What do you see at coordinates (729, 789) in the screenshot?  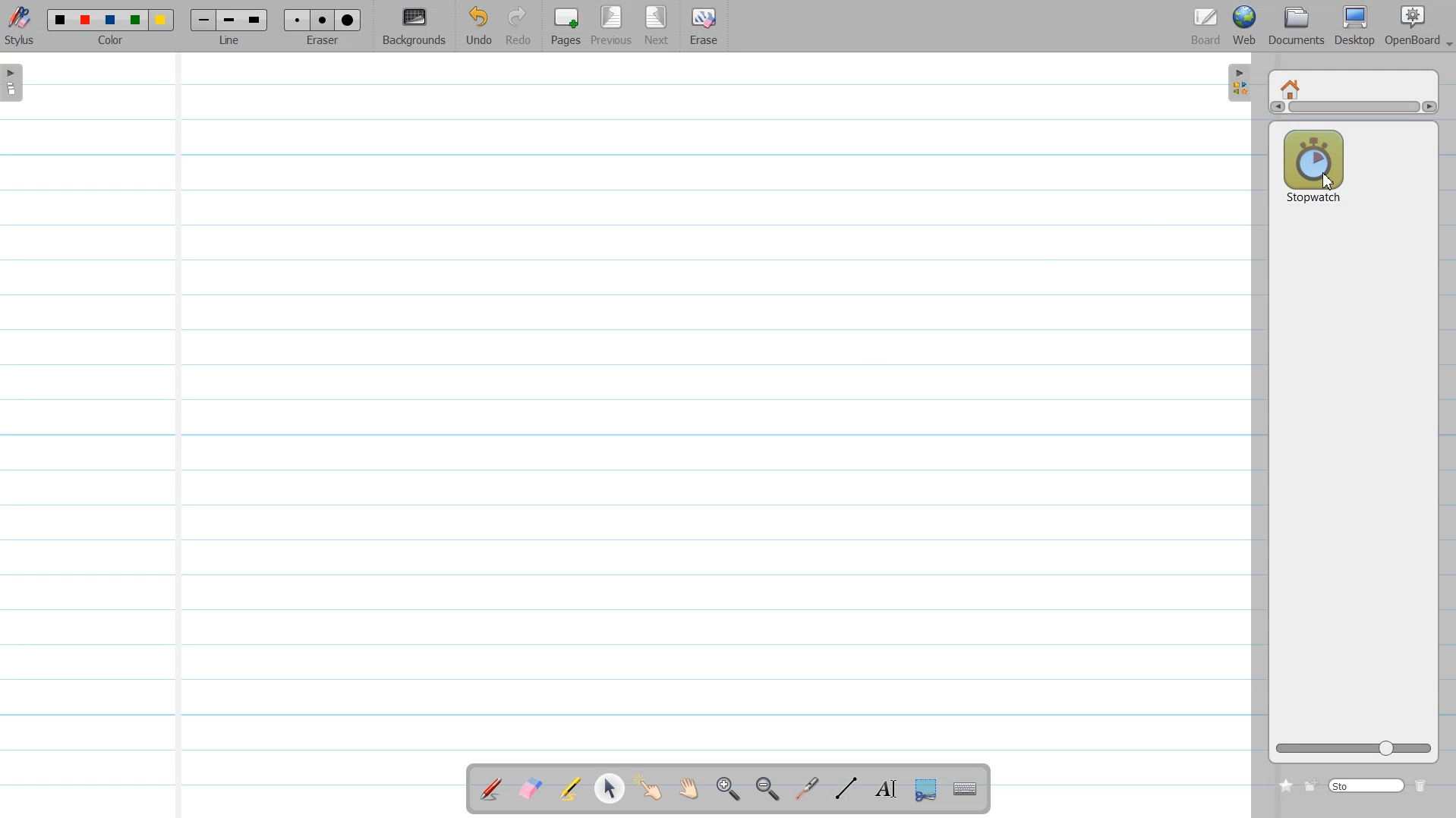 I see `Zoom in` at bounding box center [729, 789].